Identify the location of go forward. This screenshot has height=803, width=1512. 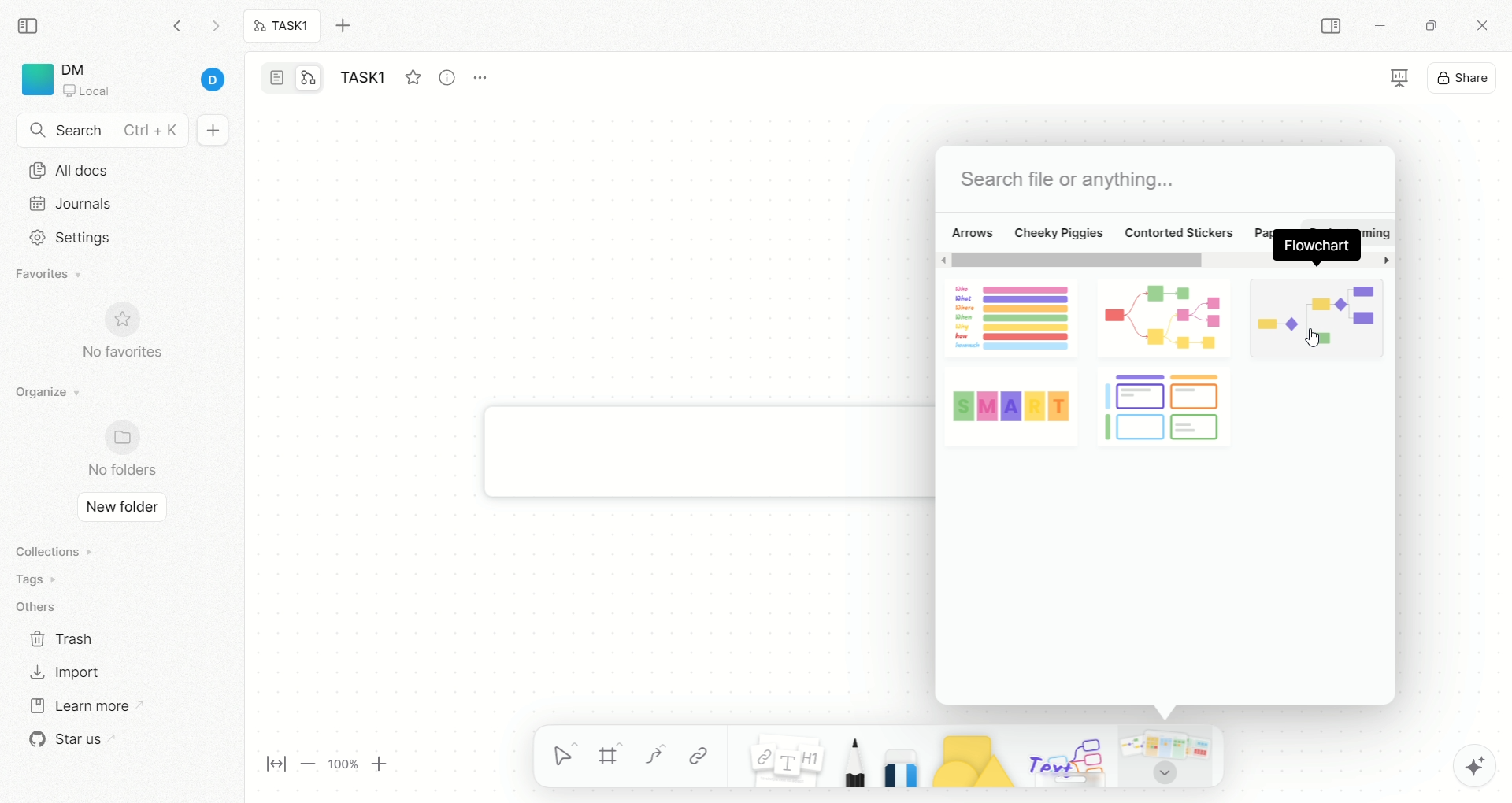
(215, 30).